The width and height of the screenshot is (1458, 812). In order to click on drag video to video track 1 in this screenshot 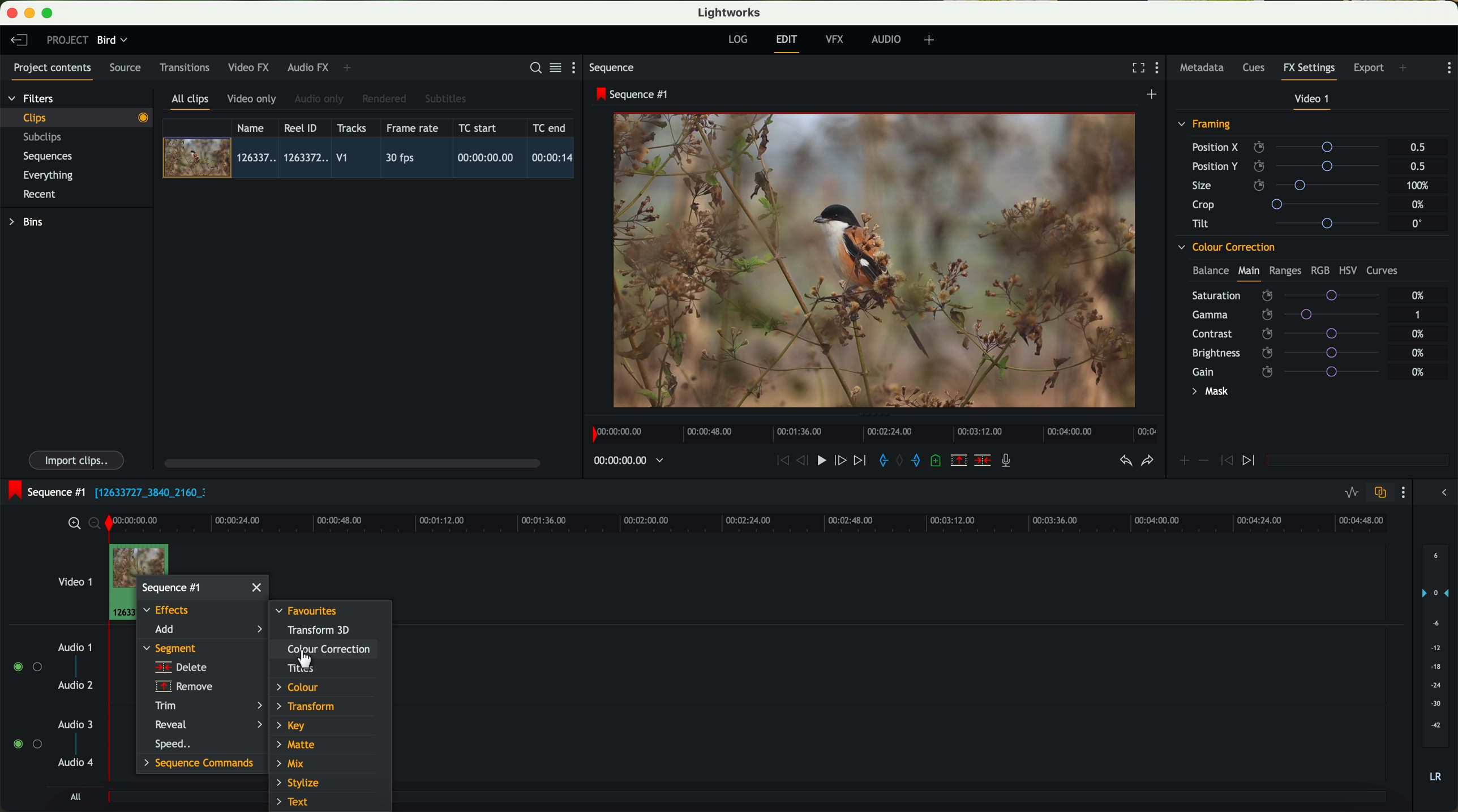, I will do `click(144, 558)`.